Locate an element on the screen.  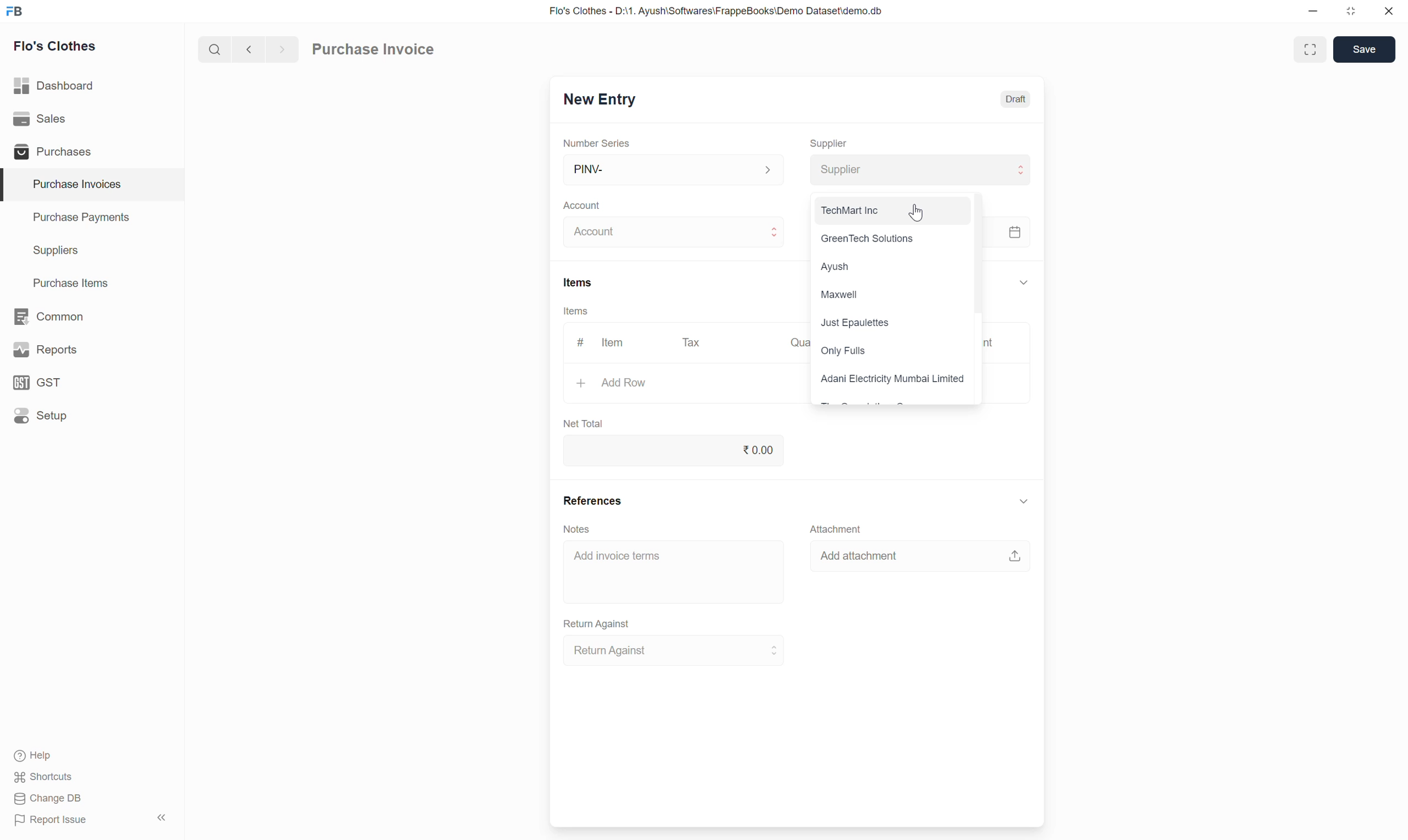
Vertical slide bar is located at coordinates (977, 297).